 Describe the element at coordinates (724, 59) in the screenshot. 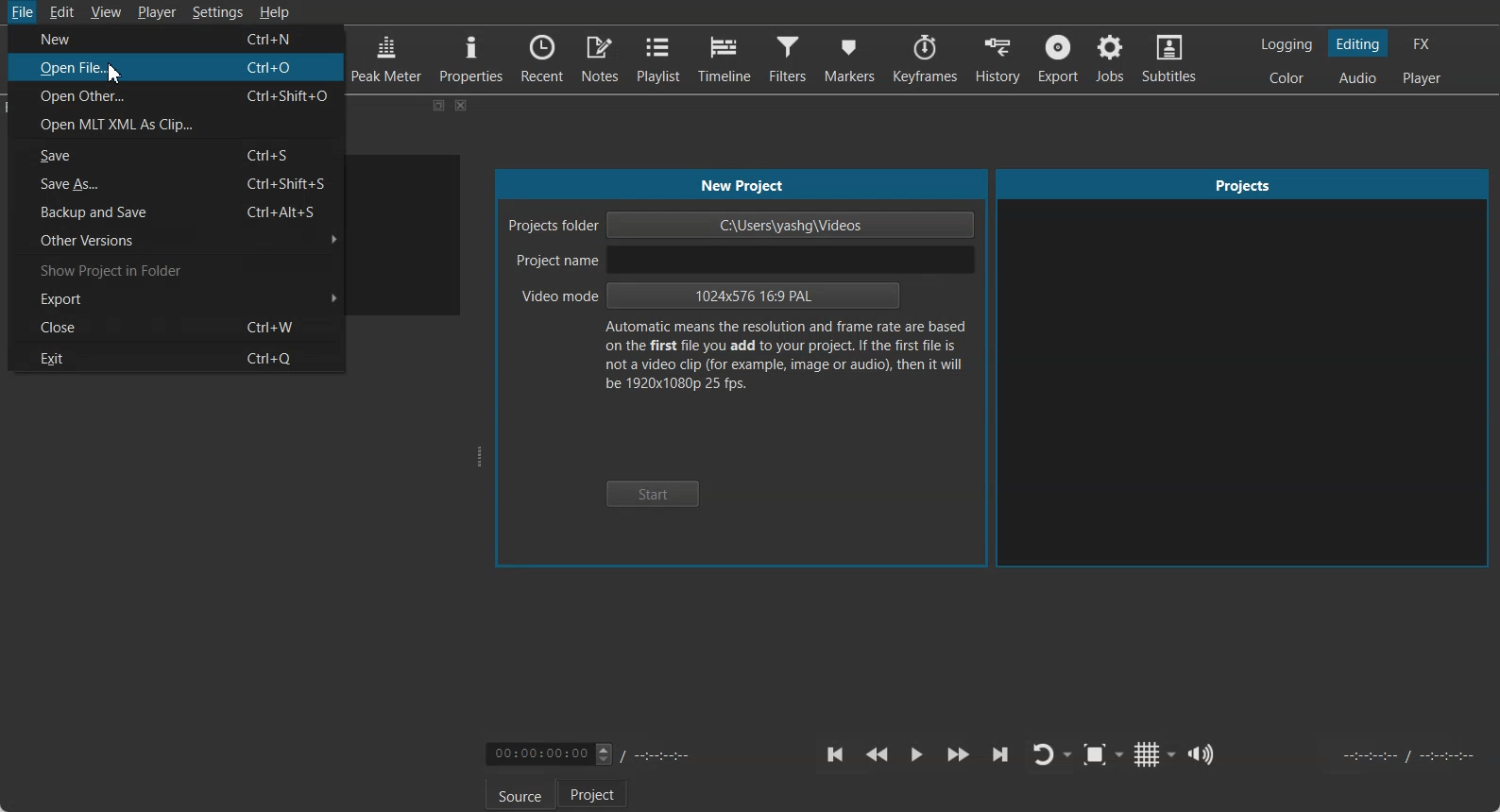

I see `Timeline` at that location.